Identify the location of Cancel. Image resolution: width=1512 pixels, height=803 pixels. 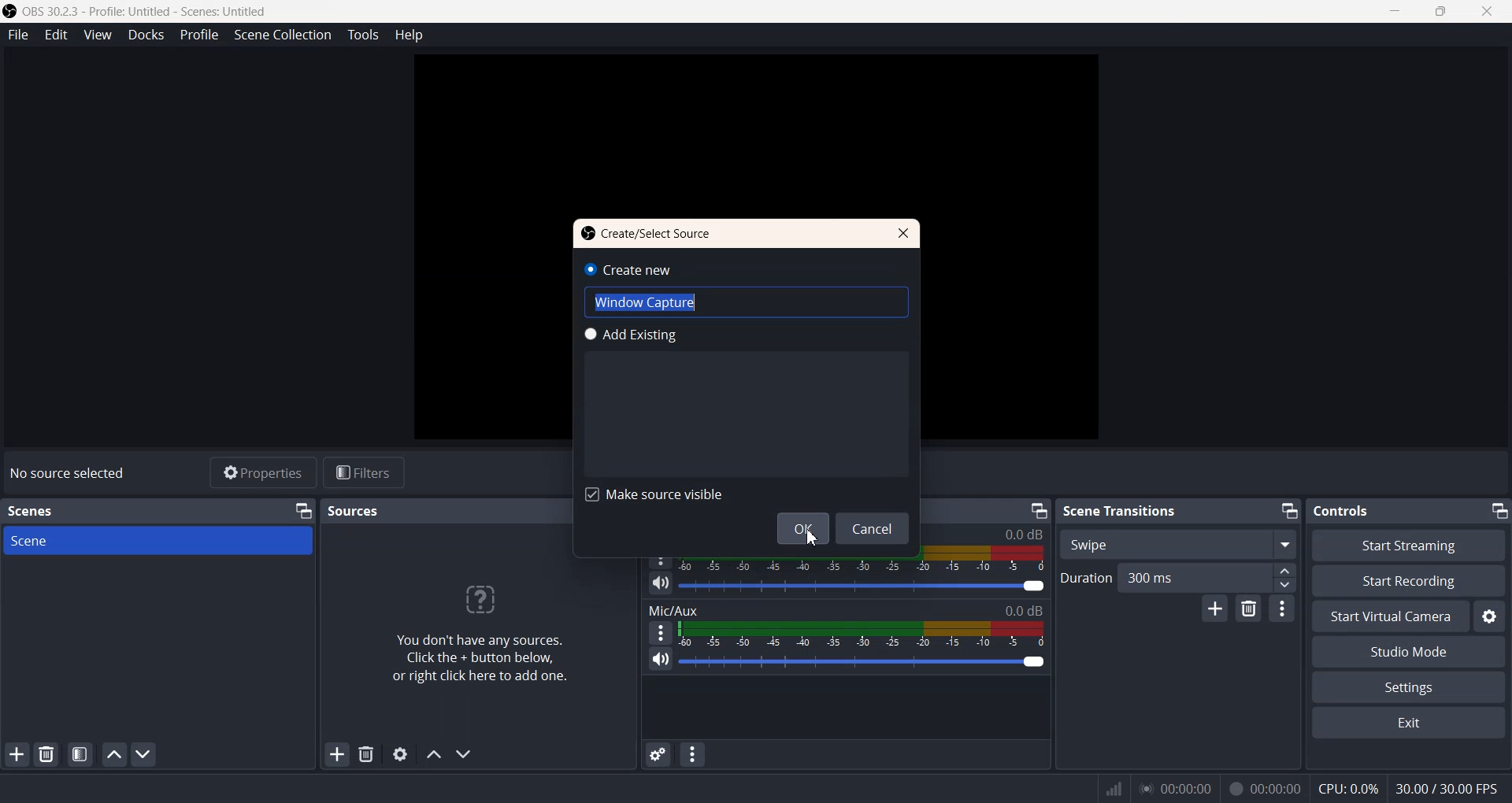
(875, 528).